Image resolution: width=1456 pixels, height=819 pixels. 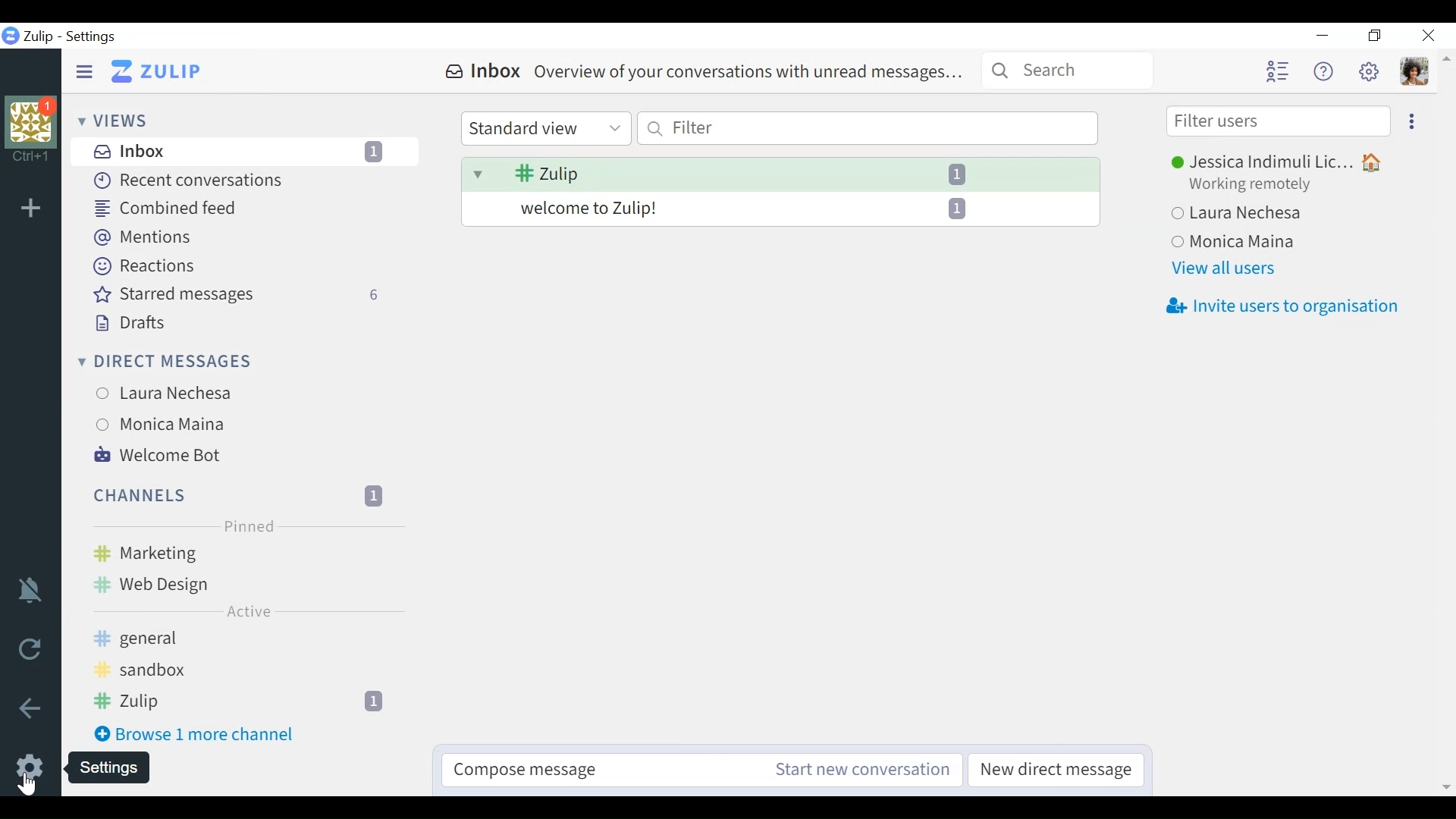 What do you see at coordinates (148, 267) in the screenshot?
I see `Reactions` at bounding box center [148, 267].